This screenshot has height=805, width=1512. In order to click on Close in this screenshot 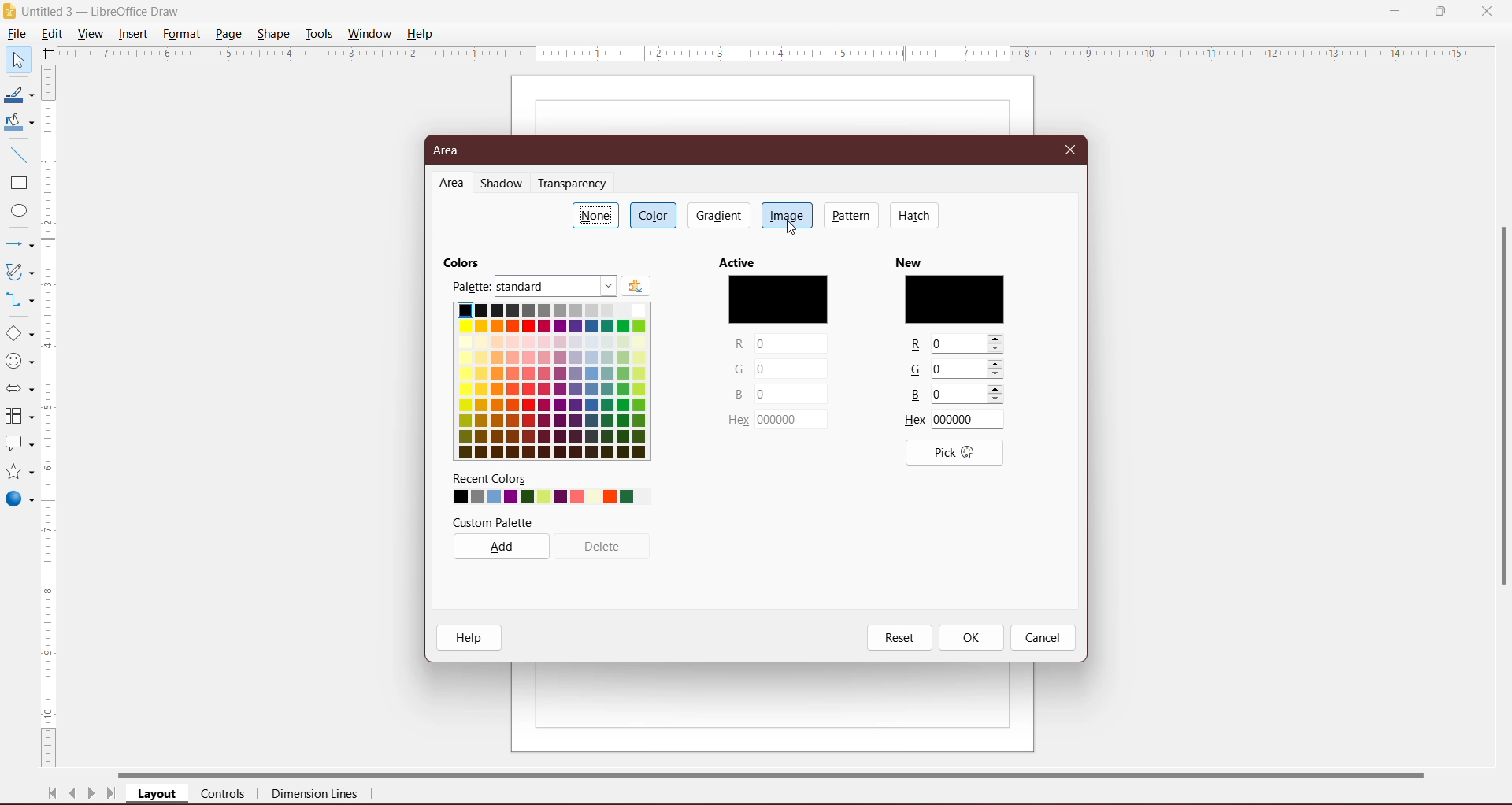, I will do `click(1487, 10)`.